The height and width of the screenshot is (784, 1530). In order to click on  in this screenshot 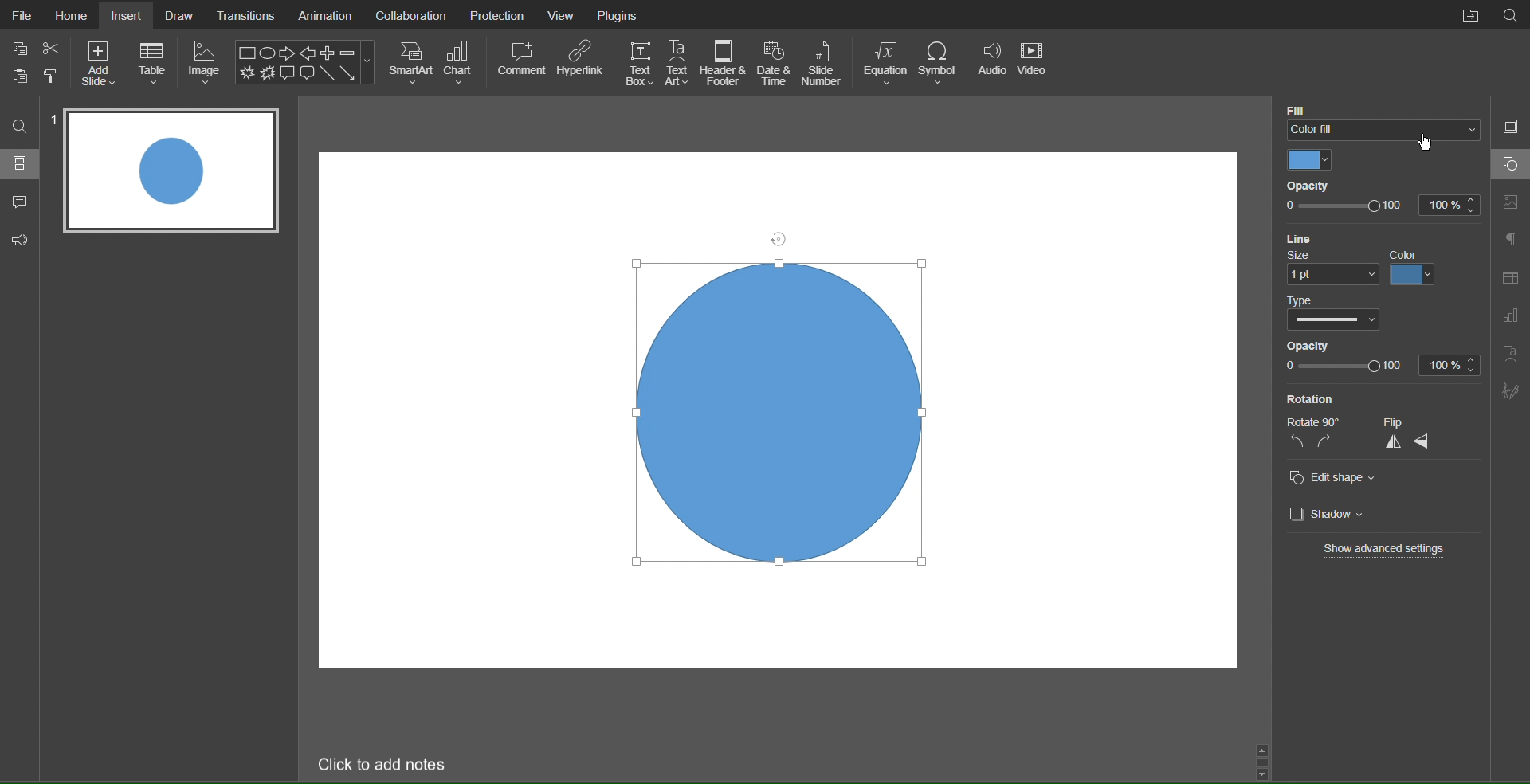, I will do `click(1336, 321)`.